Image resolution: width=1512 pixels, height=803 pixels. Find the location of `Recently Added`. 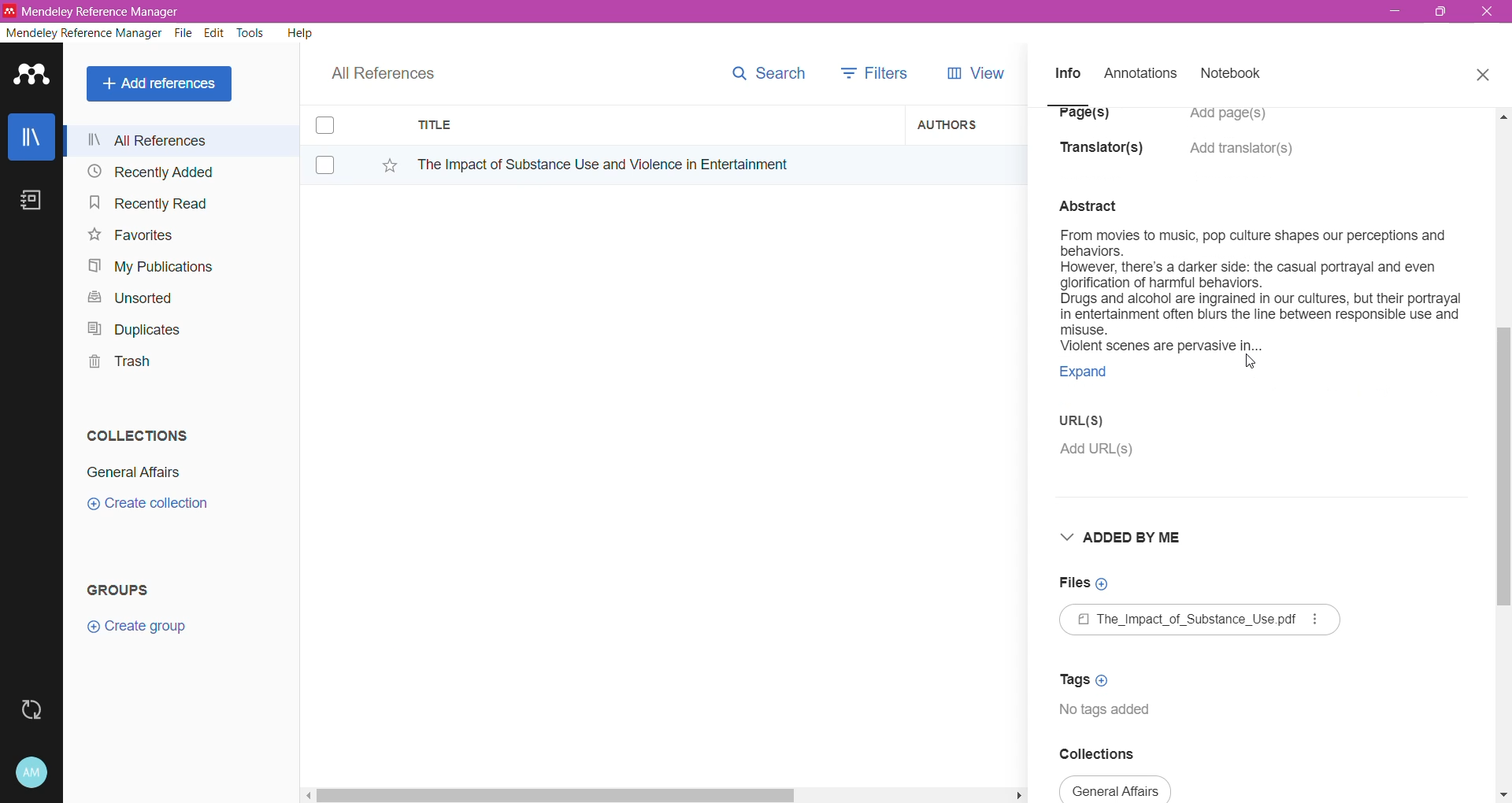

Recently Added is located at coordinates (148, 172).